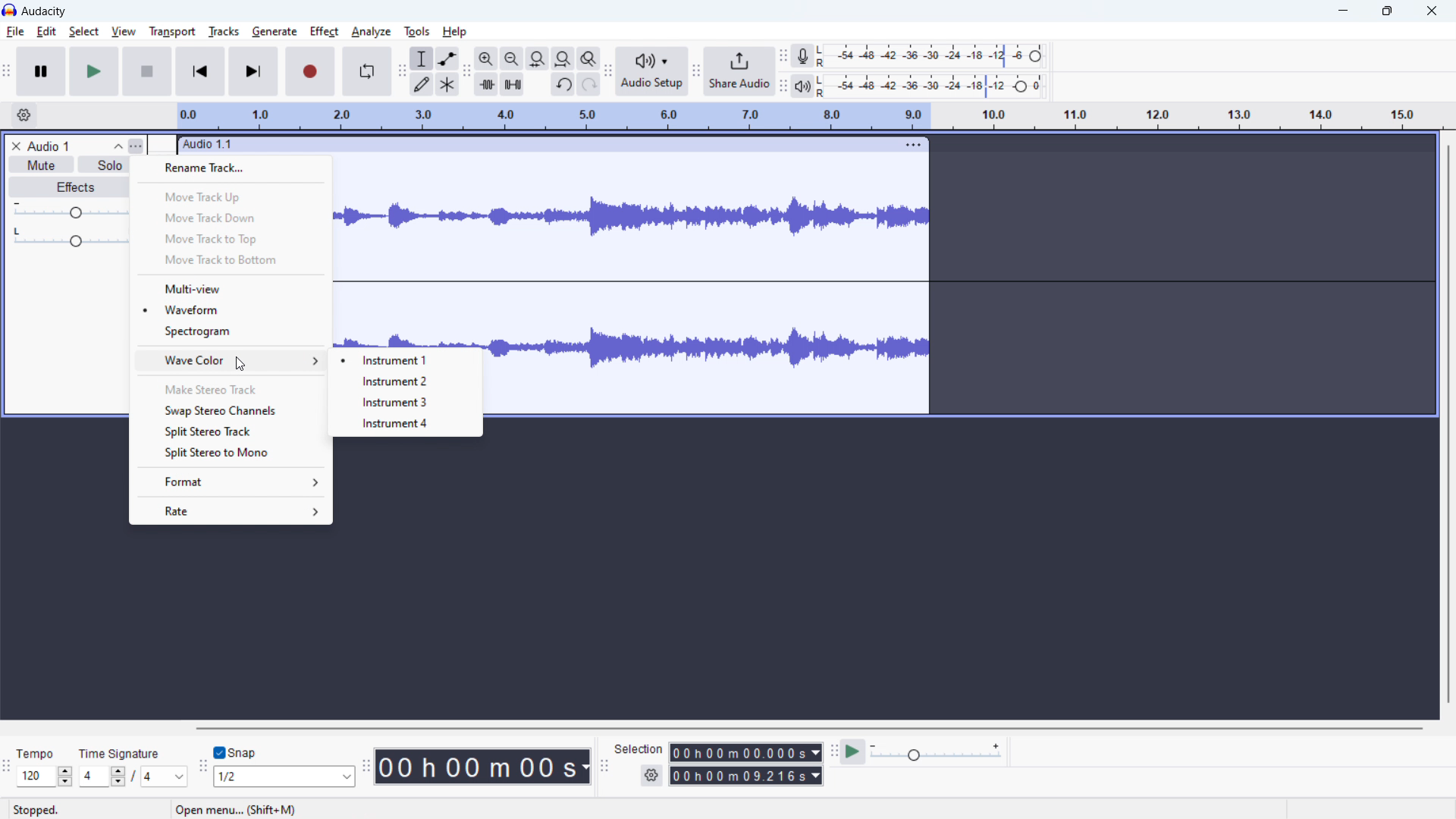 The width and height of the screenshot is (1456, 819). What do you see at coordinates (229, 360) in the screenshot?
I see `wave color` at bounding box center [229, 360].